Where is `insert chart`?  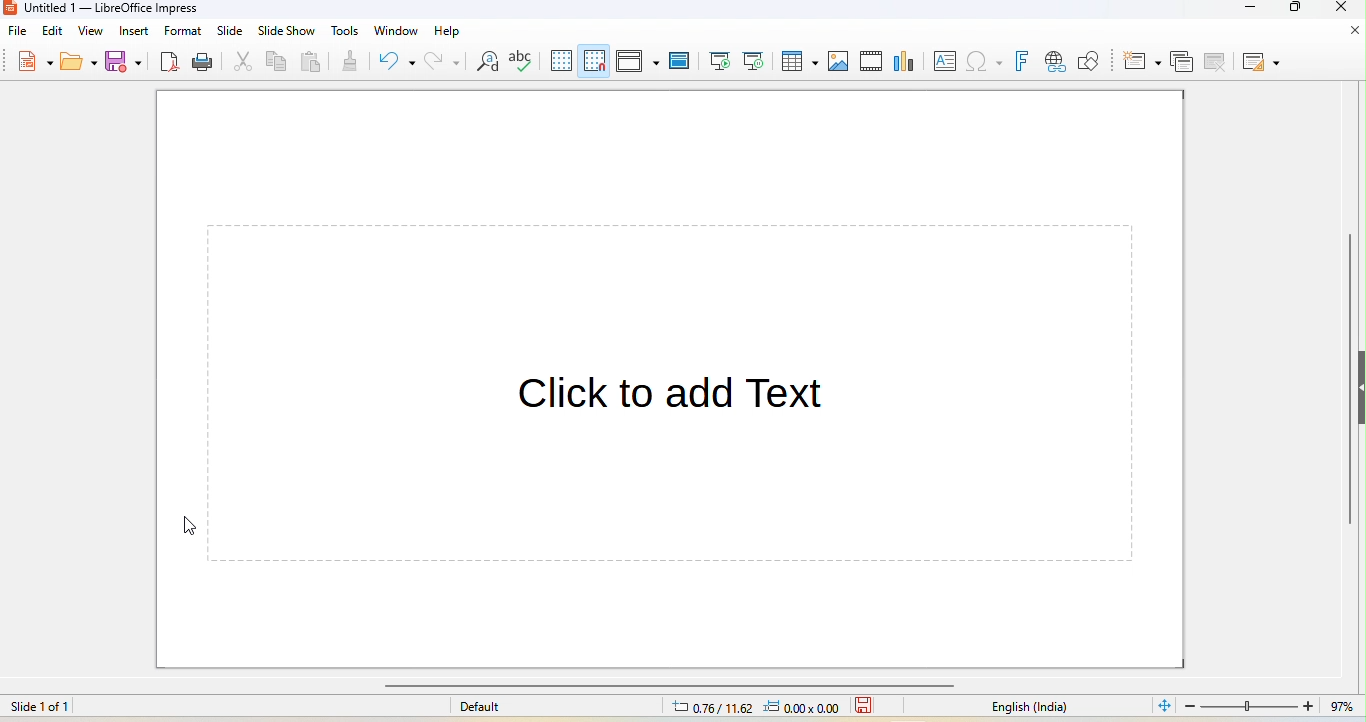
insert chart is located at coordinates (907, 60).